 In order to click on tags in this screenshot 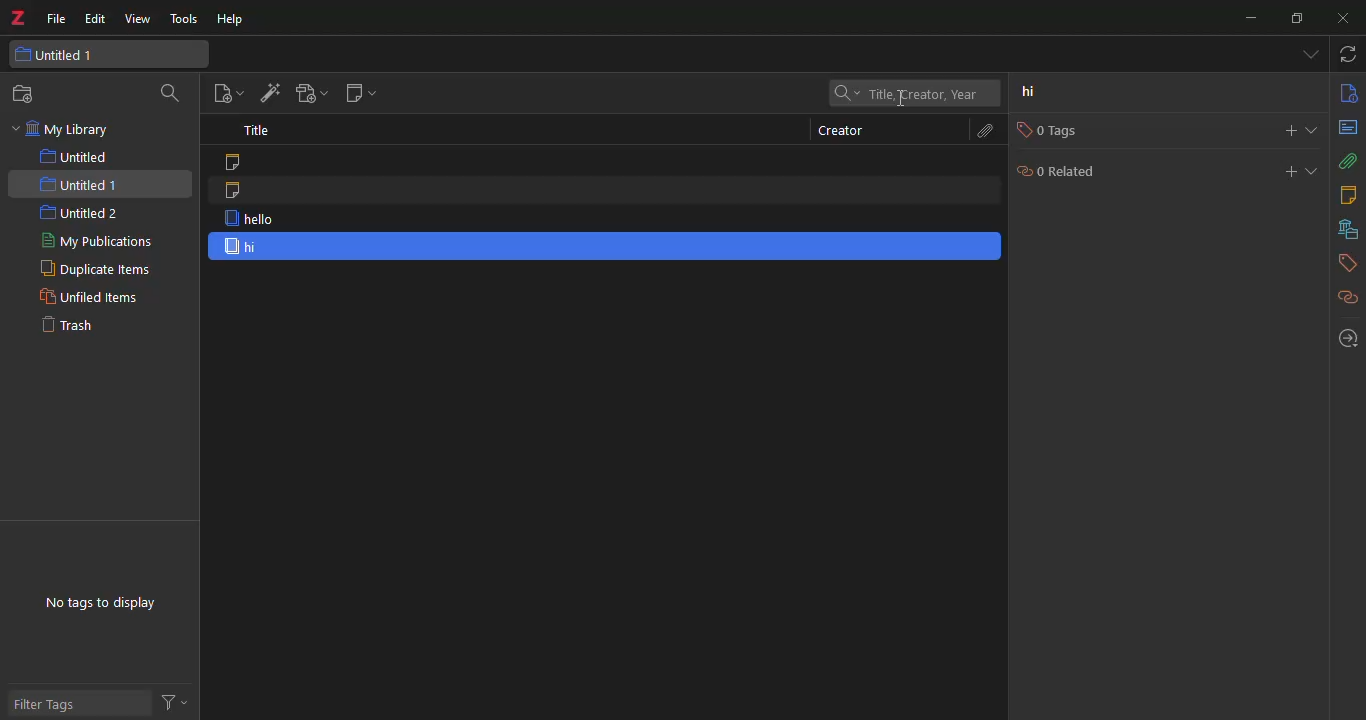, I will do `click(1345, 265)`.